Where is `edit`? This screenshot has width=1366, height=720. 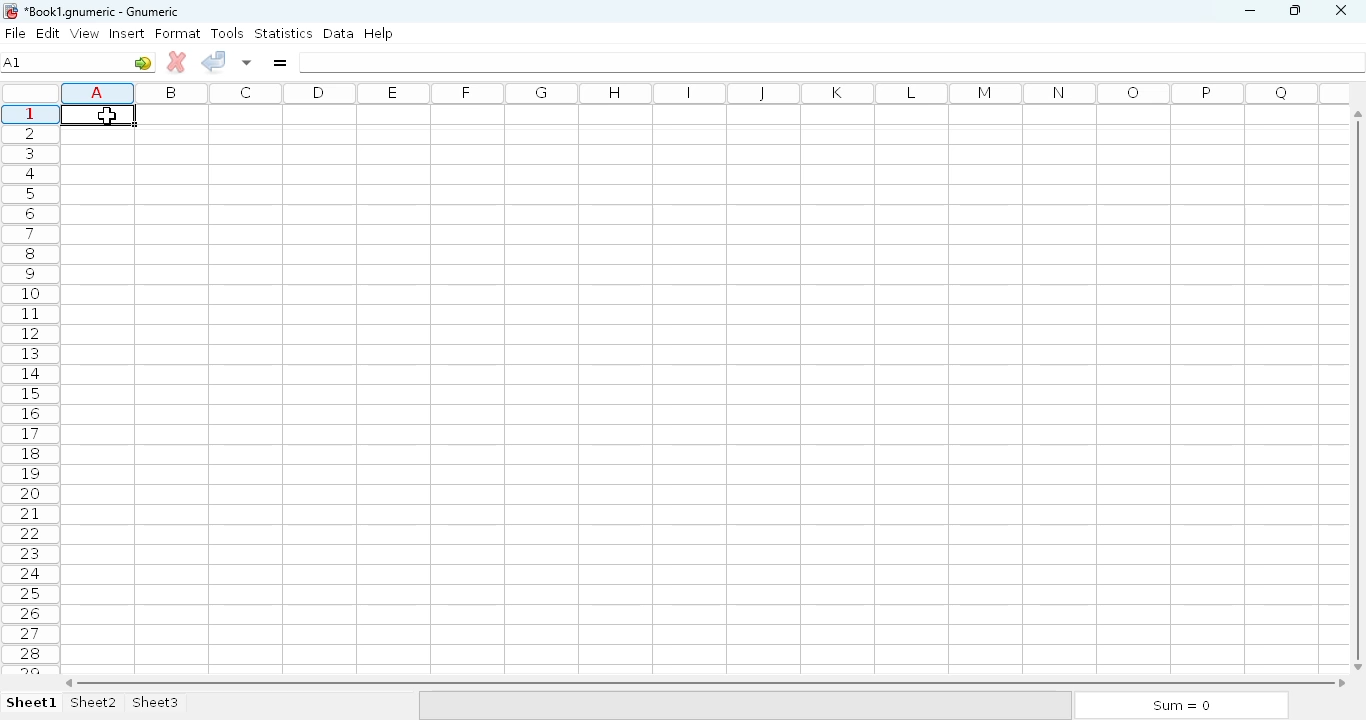
edit is located at coordinates (49, 33).